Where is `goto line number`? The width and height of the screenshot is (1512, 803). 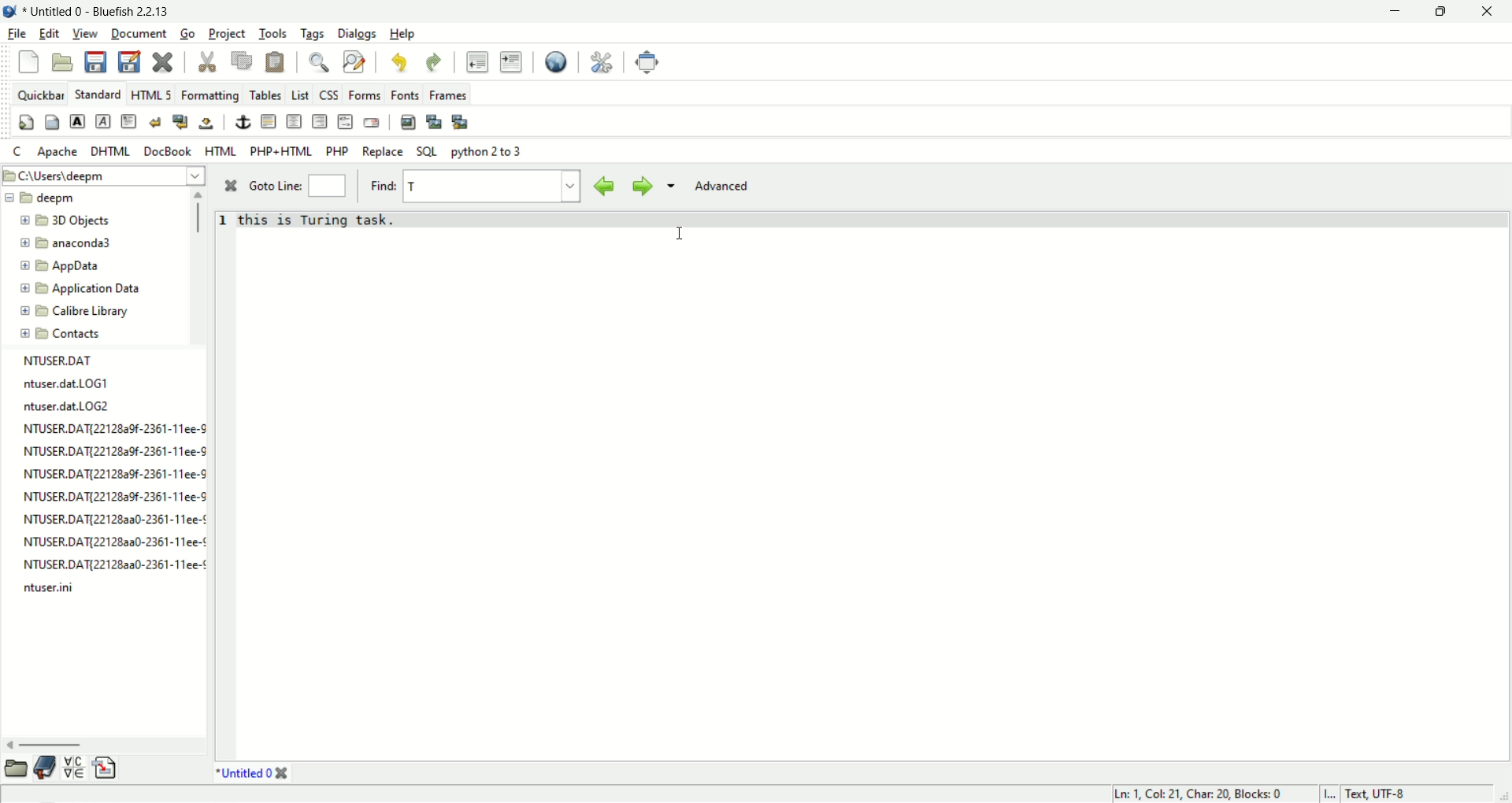
goto line number is located at coordinates (327, 187).